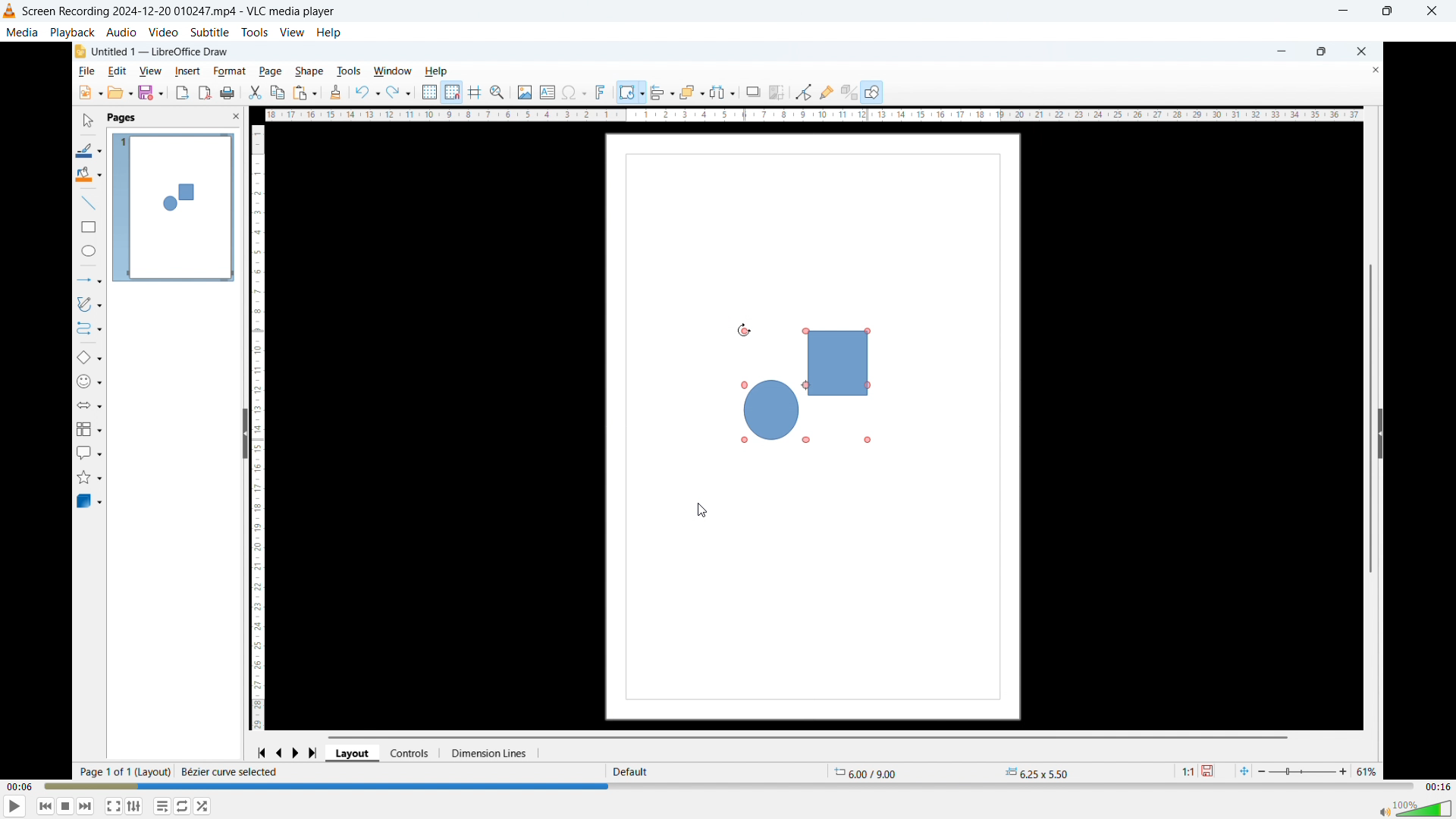 The image size is (1456, 819). What do you see at coordinates (121, 33) in the screenshot?
I see `Audio ` at bounding box center [121, 33].